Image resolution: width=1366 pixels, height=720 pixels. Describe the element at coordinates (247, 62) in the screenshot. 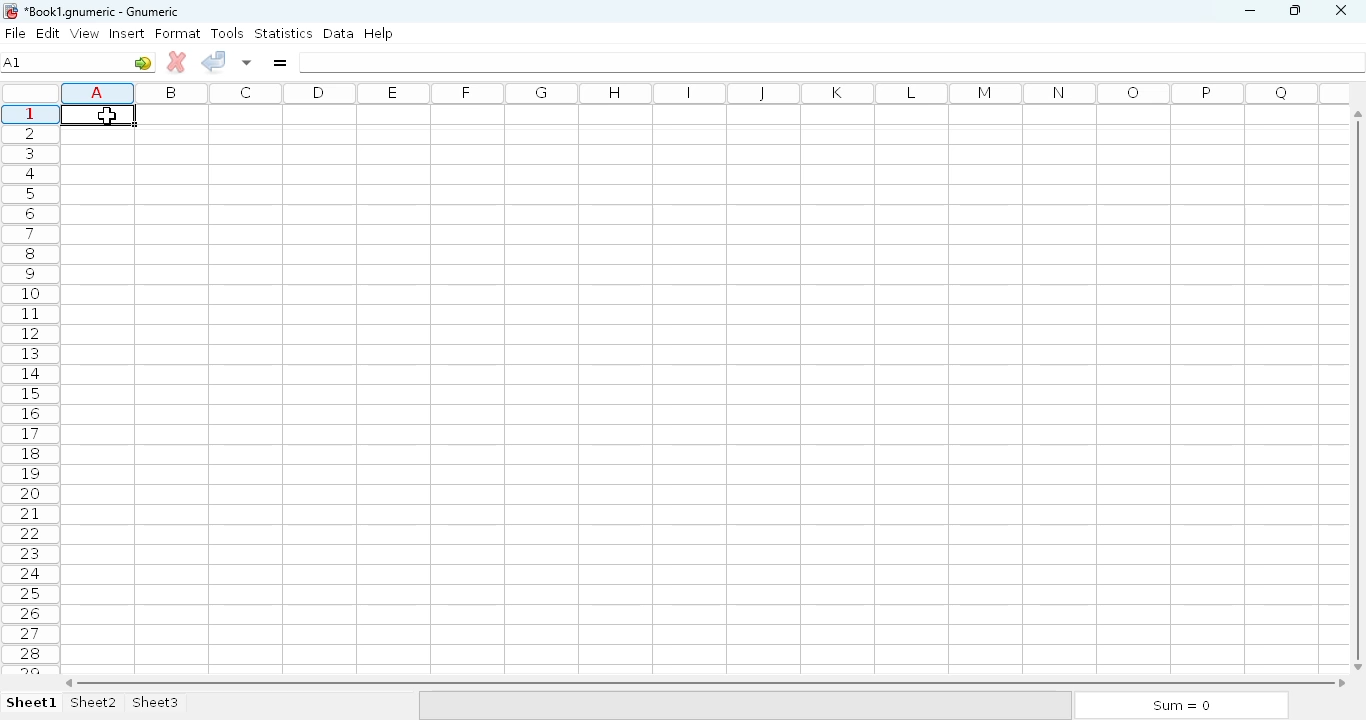

I see `accept change in multiple cells` at that location.